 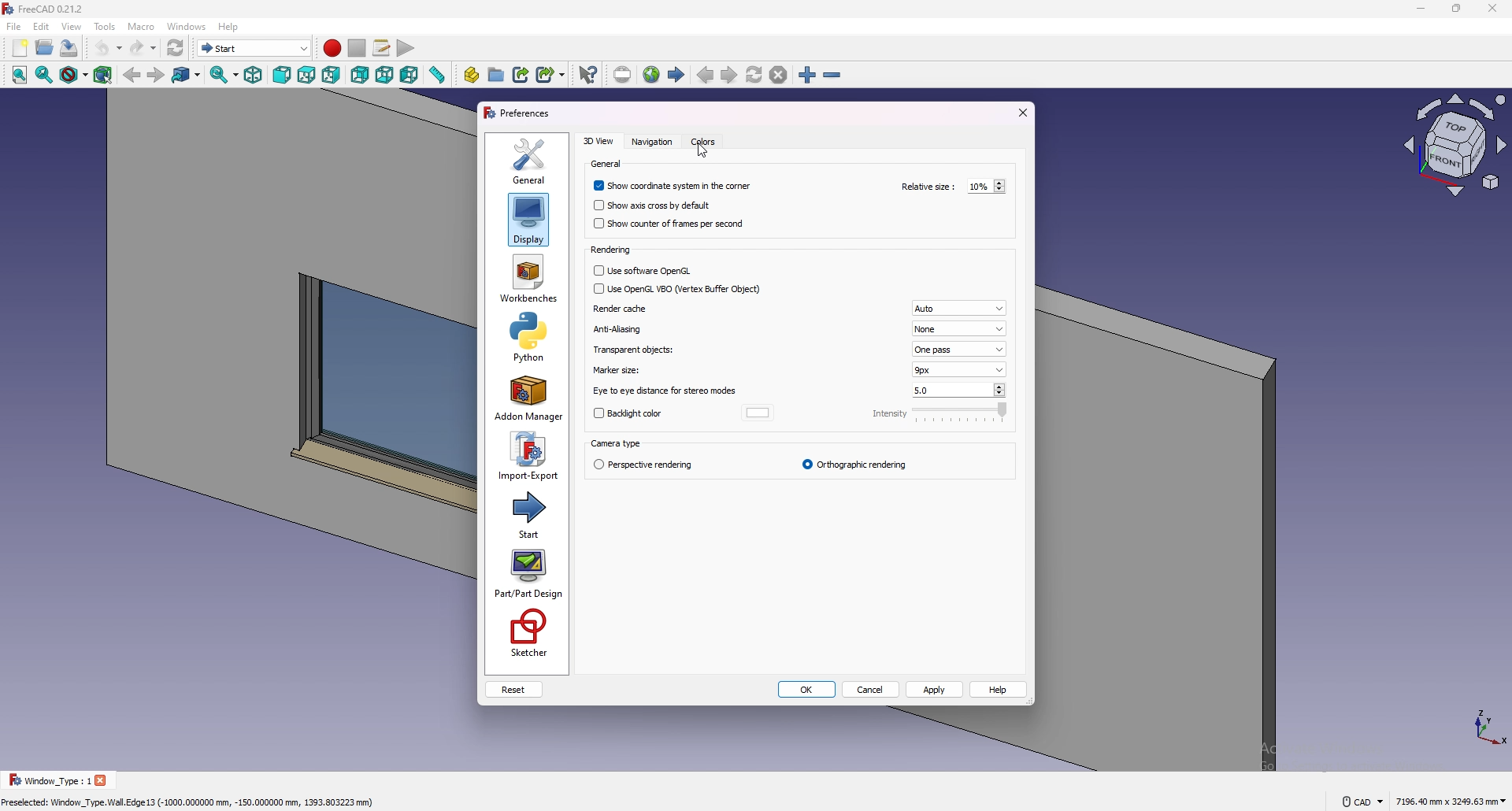 What do you see at coordinates (283, 76) in the screenshot?
I see `front` at bounding box center [283, 76].